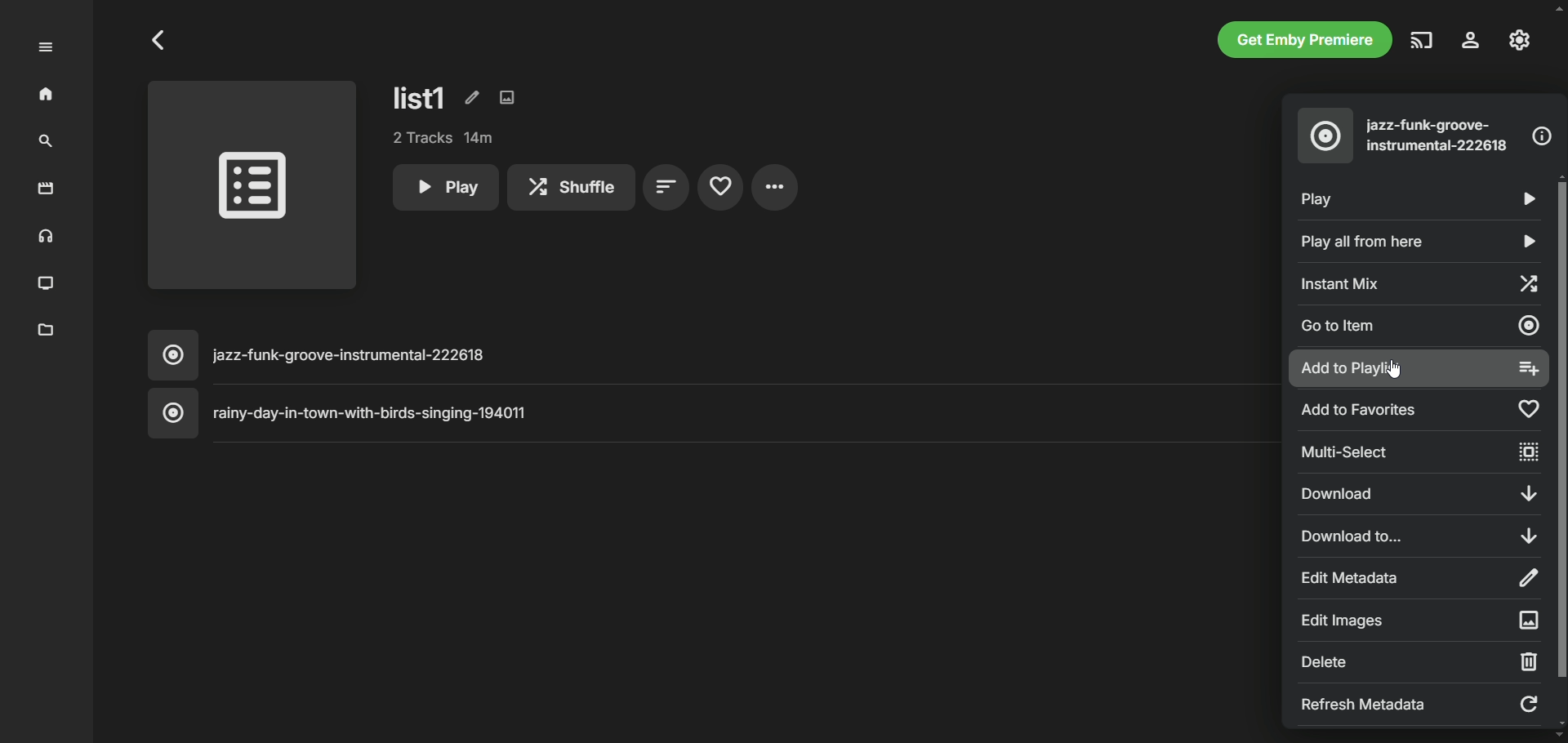  What do you see at coordinates (1440, 136) in the screenshot?
I see `song title` at bounding box center [1440, 136].